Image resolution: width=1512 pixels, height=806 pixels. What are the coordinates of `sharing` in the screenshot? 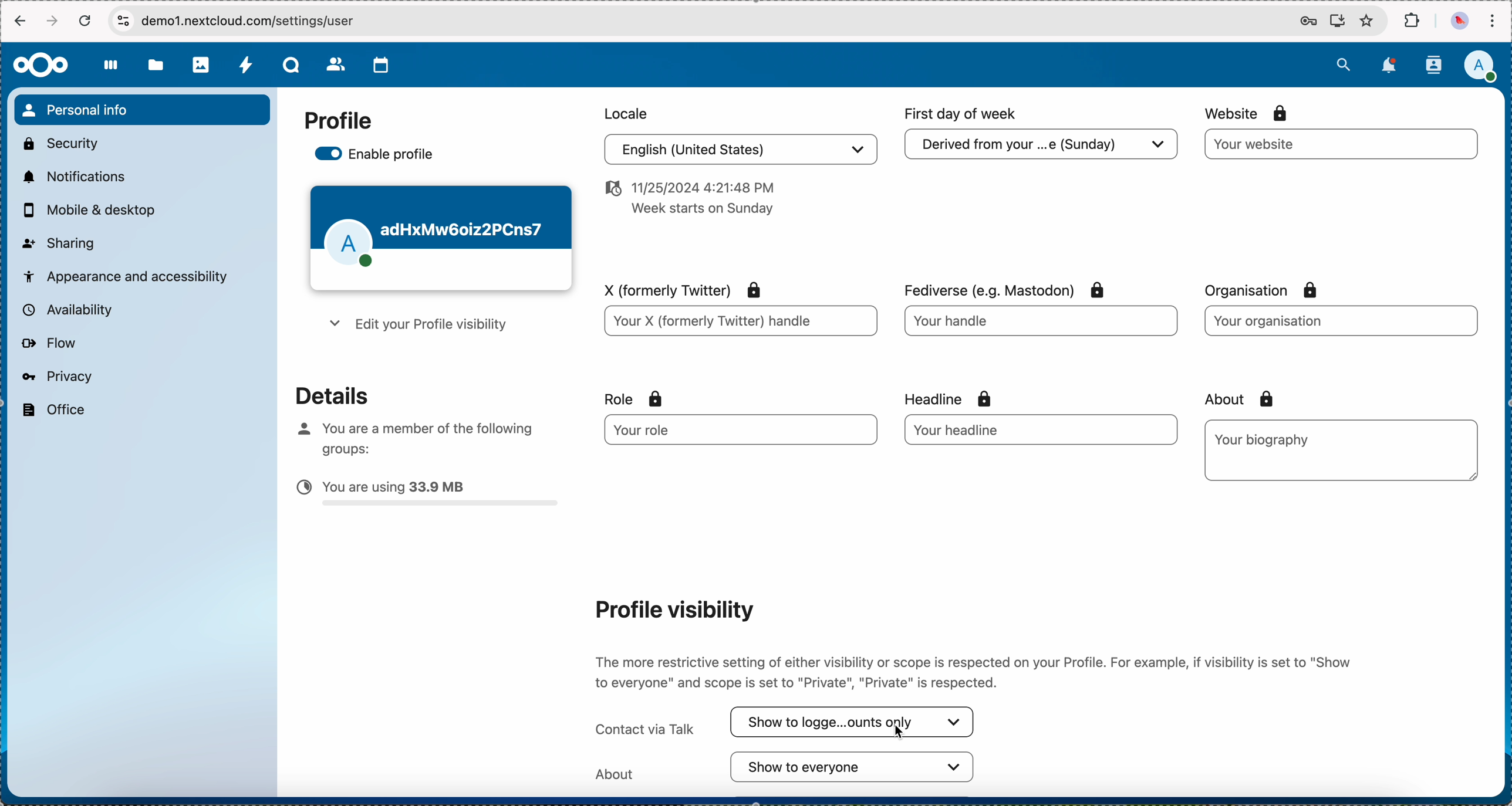 It's located at (59, 242).